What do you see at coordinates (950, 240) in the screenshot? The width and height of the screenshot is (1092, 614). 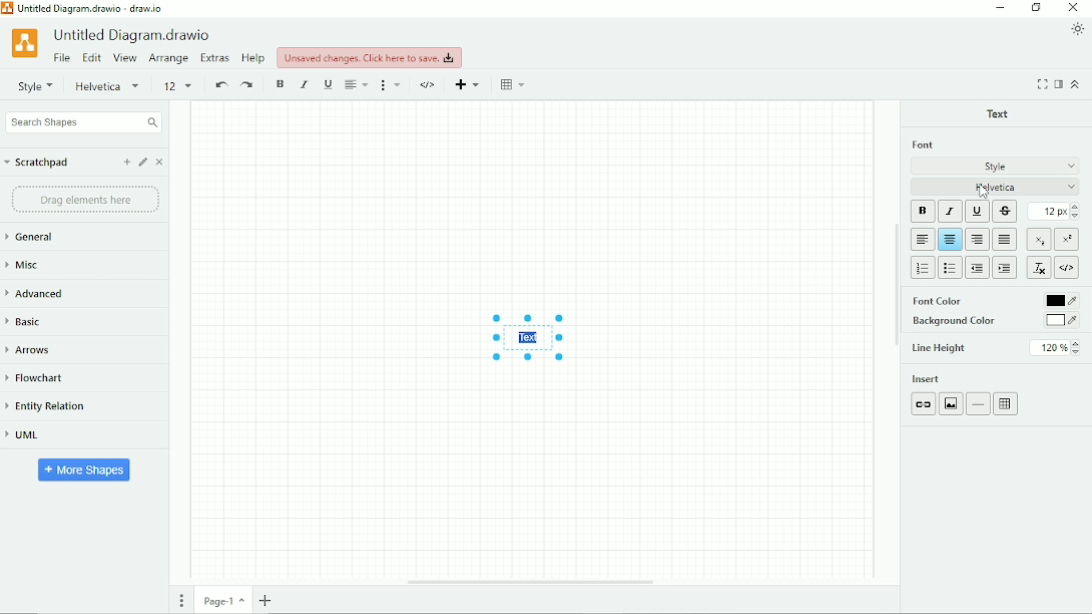 I see `Center` at bounding box center [950, 240].